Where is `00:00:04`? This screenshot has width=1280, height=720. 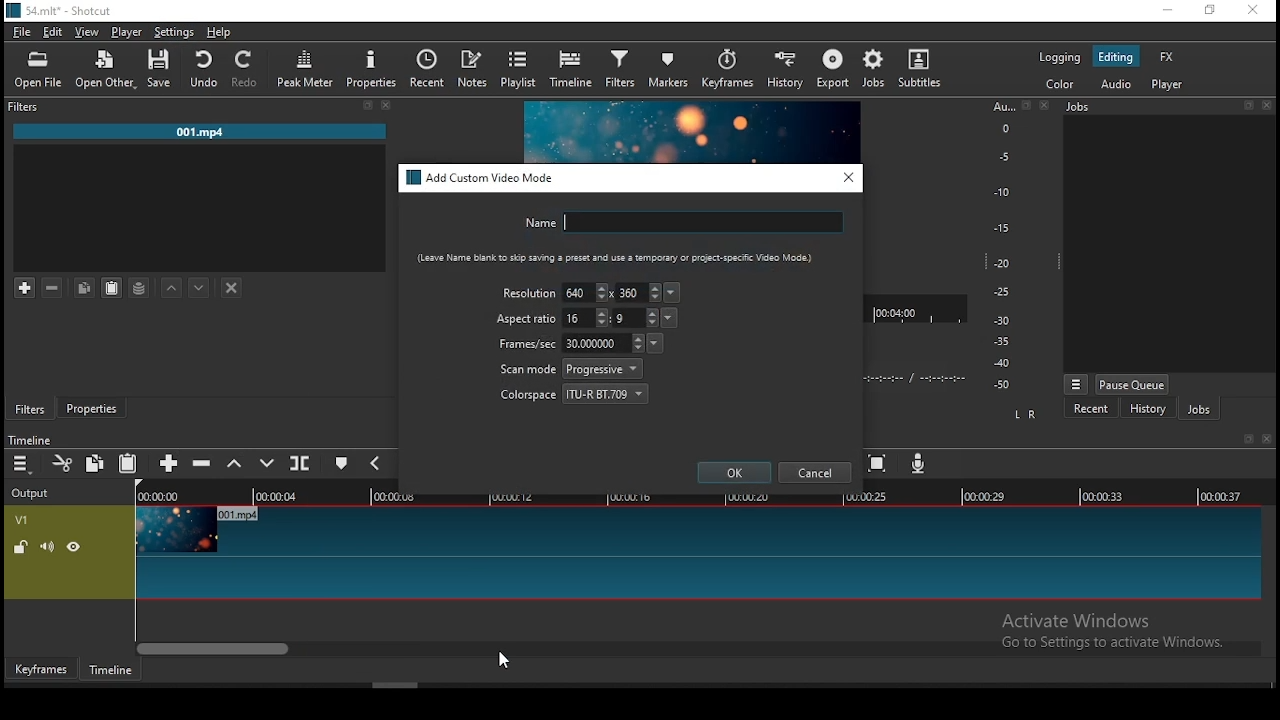 00:00:04 is located at coordinates (279, 496).